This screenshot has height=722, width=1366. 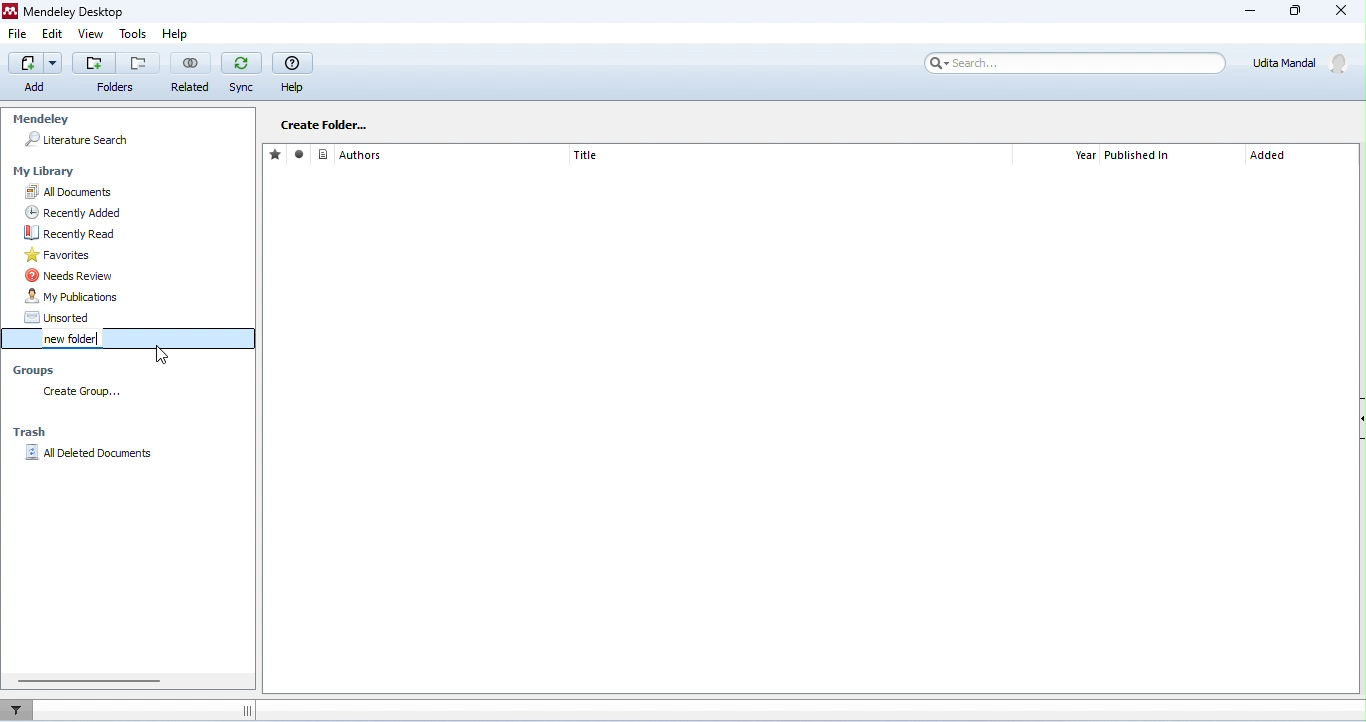 What do you see at coordinates (18, 33) in the screenshot?
I see `file` at bounding box center [18, 33].